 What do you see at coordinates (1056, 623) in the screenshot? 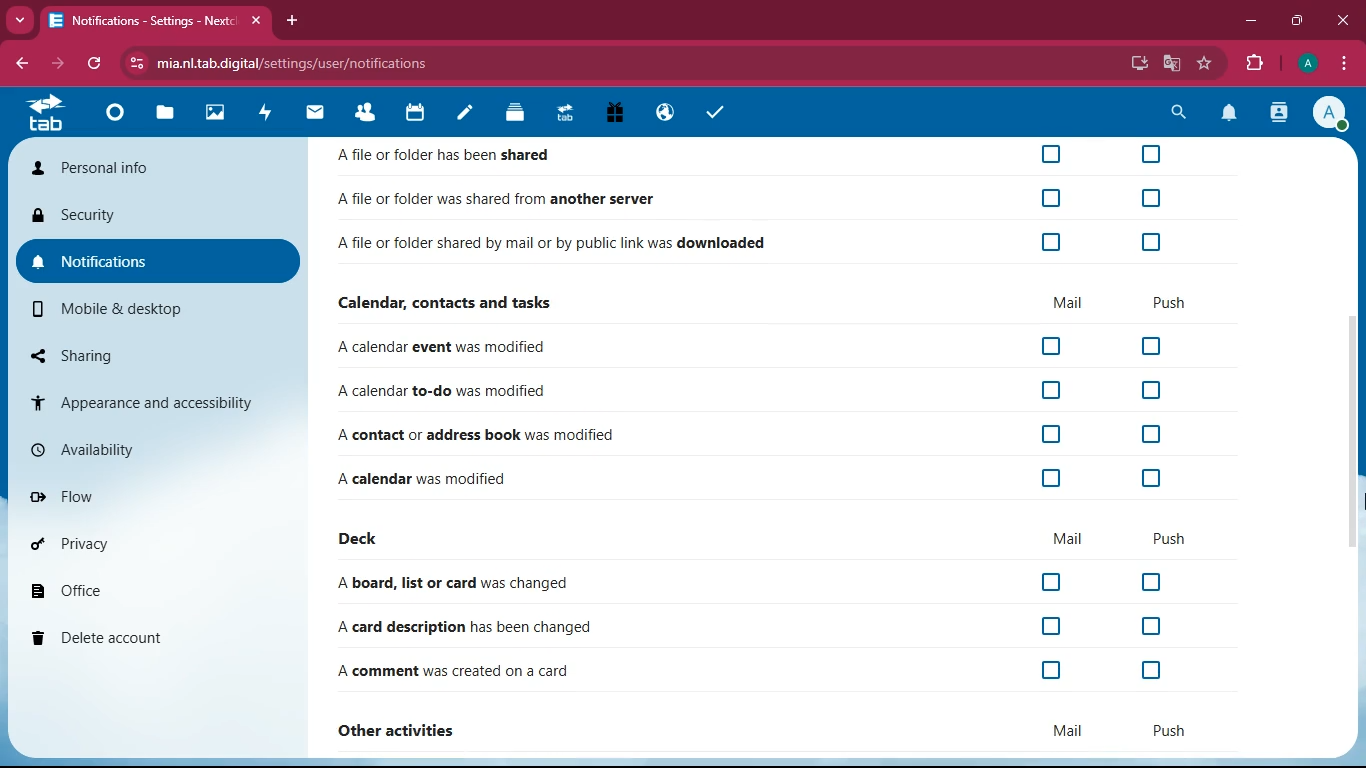
I see `off` at bounding box center [1056, 623].